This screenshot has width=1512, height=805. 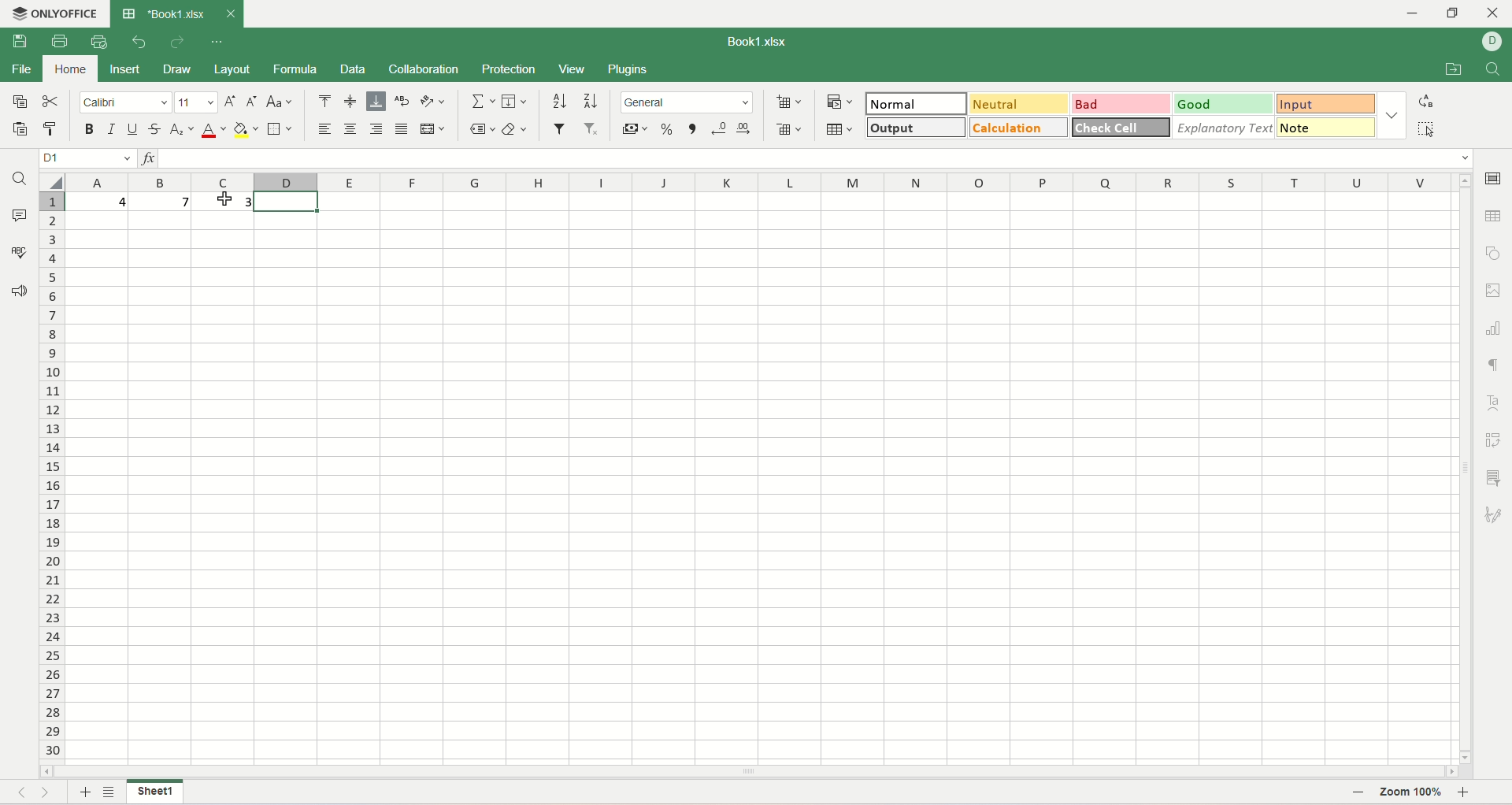 I want to click on cell settings, so click(x=1494, y=180).